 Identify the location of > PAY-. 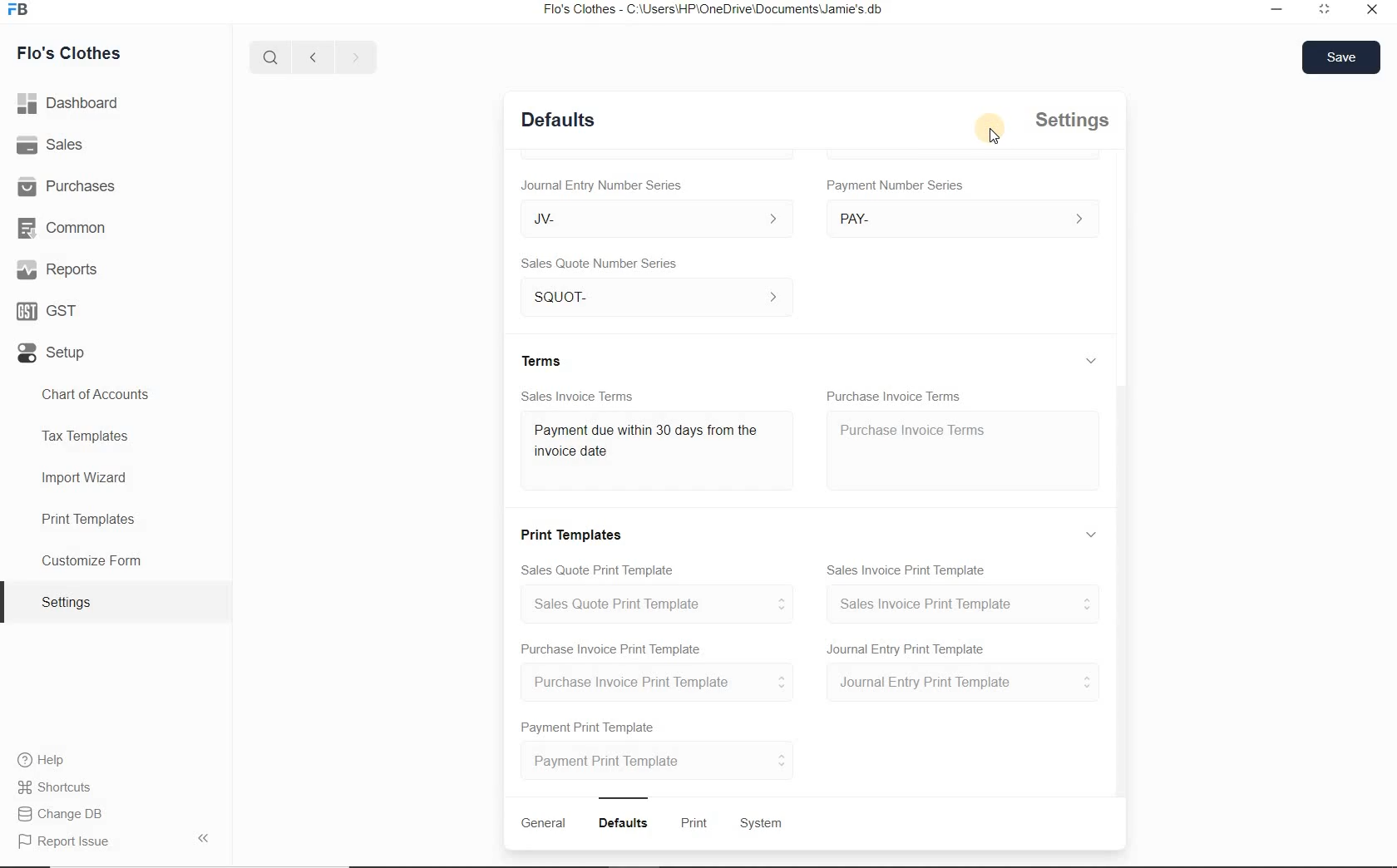
(958, 218).